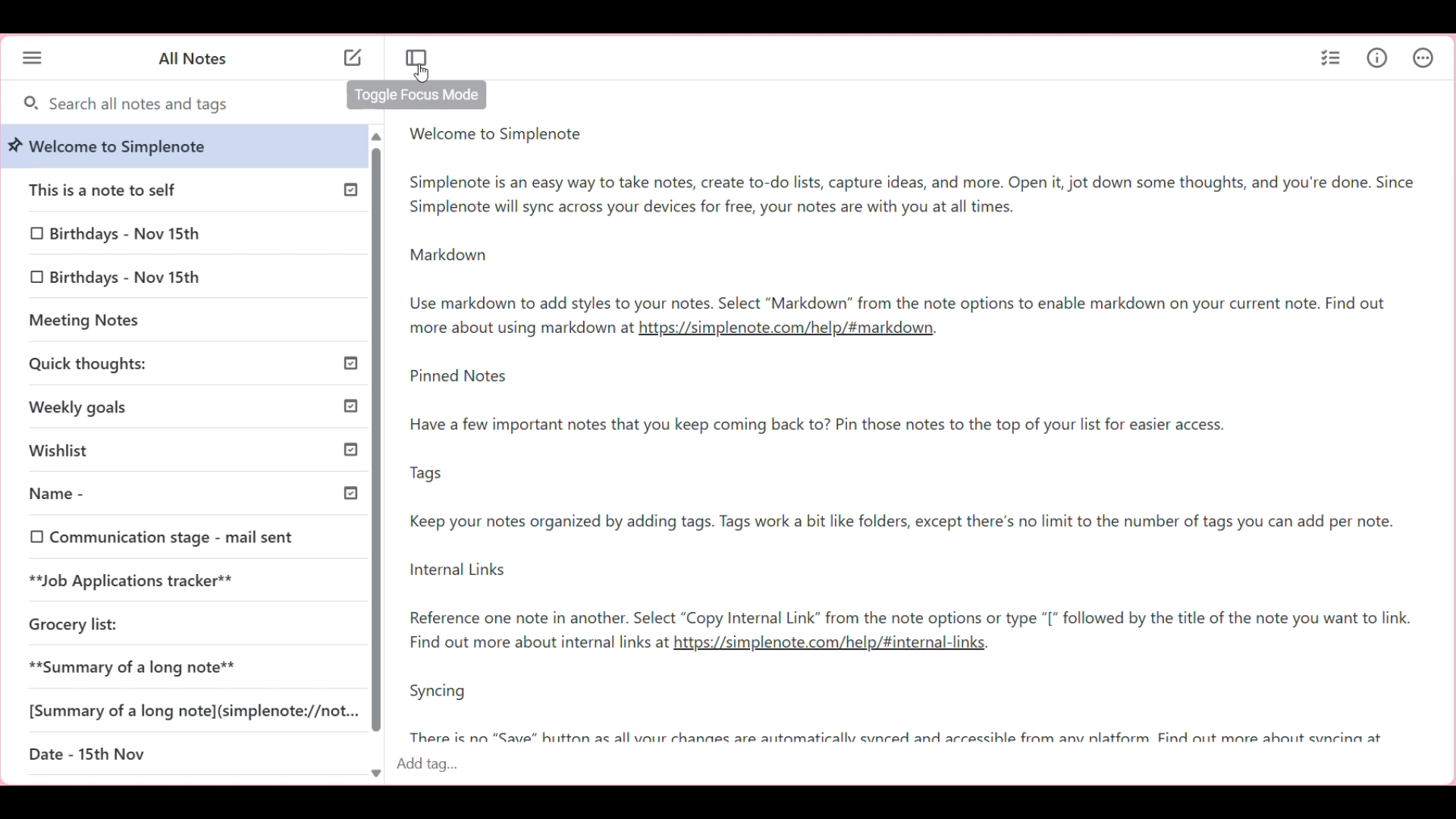  I want to click on Quick thoughts:, so click(152, 361).